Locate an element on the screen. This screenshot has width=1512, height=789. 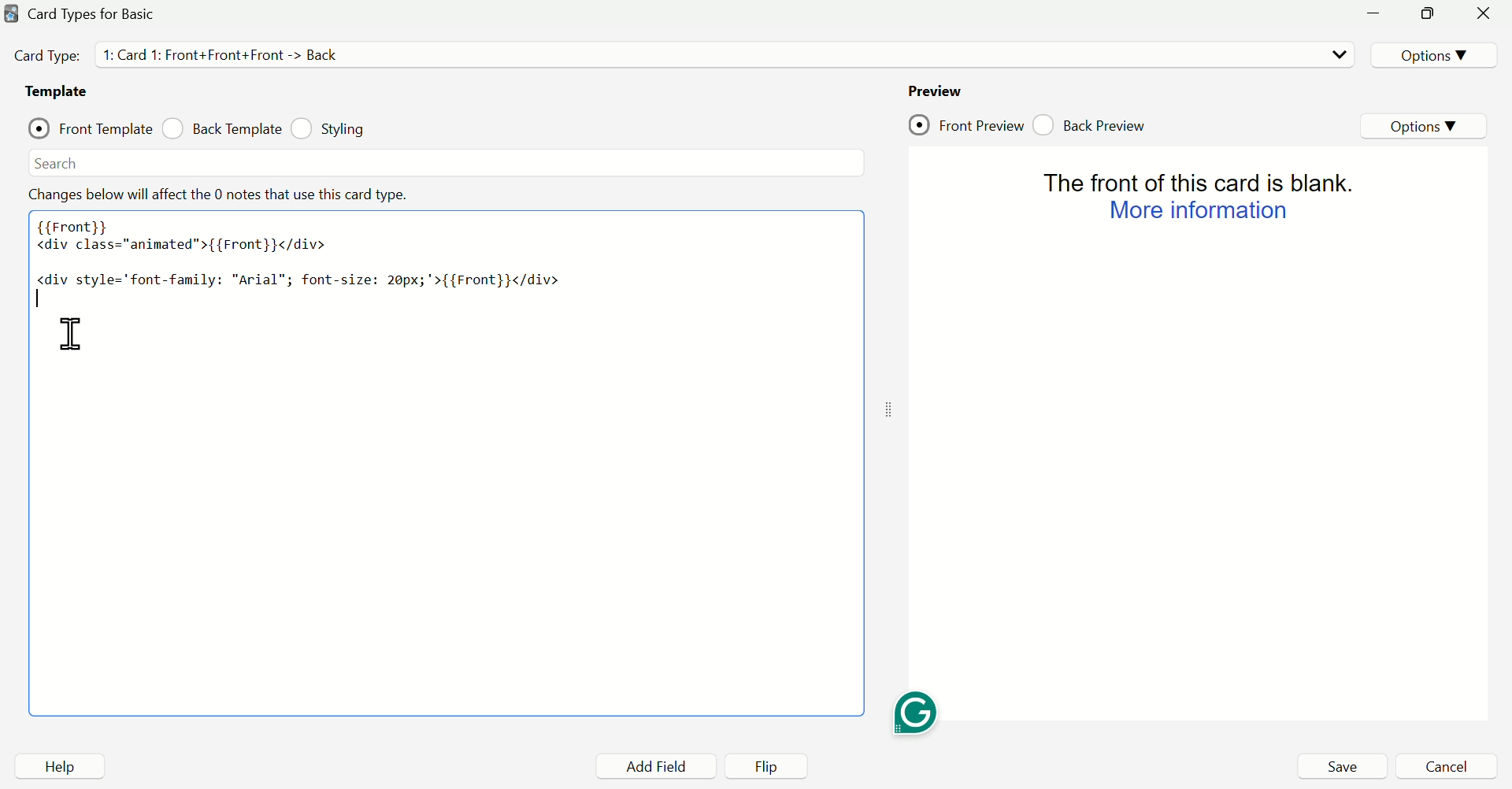
Flip is located at coordinates (759, 765).